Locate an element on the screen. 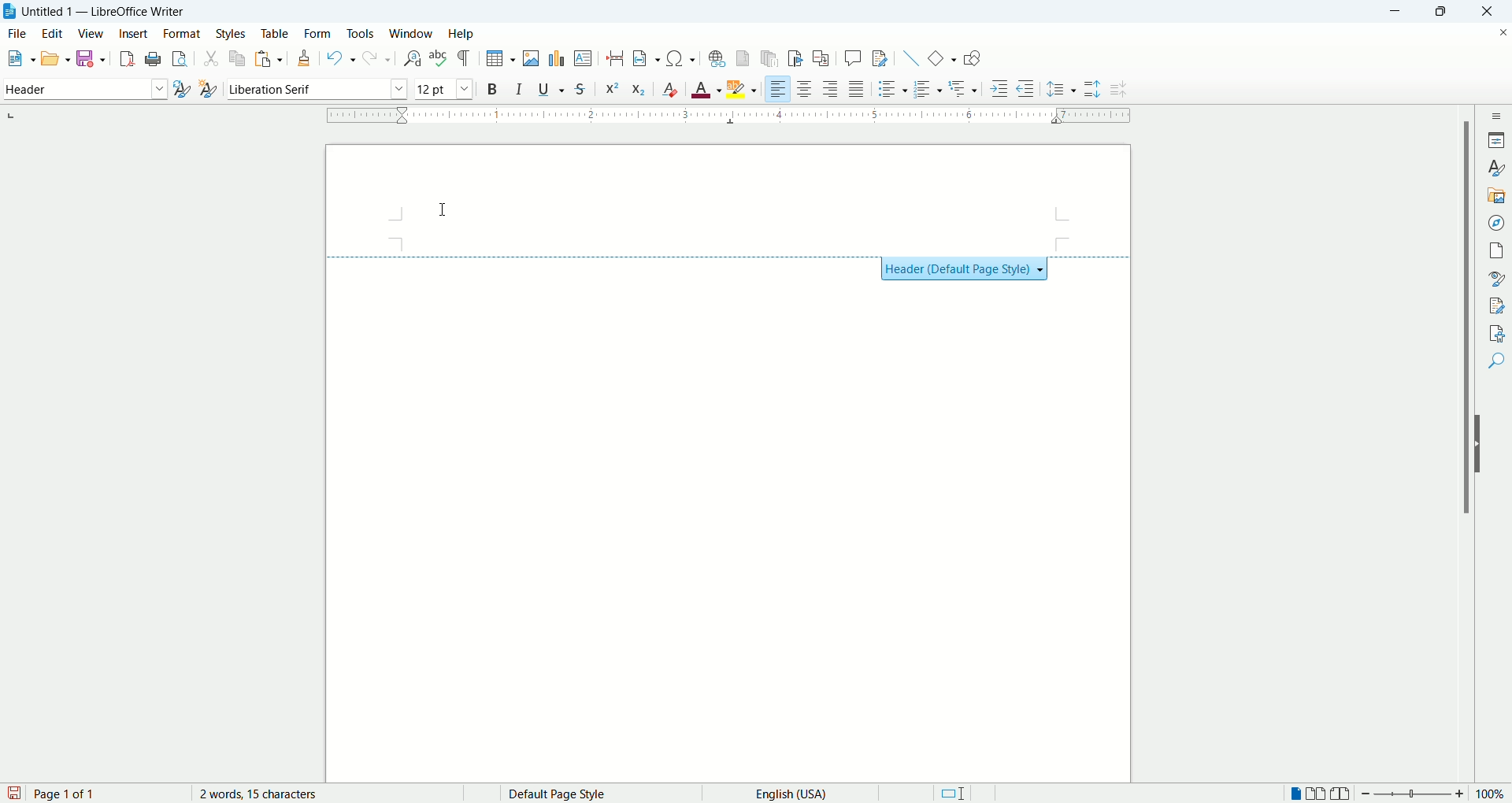  update style is located at coordinates (182, 89).